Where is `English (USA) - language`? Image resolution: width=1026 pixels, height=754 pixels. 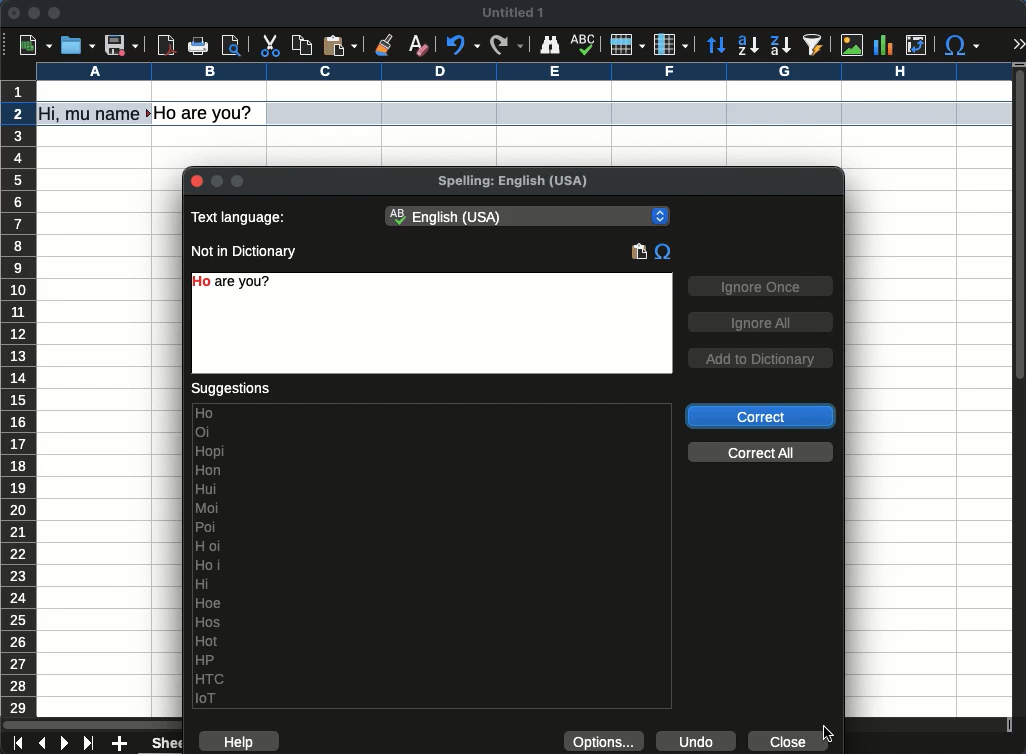 English (USA) - language is located at coordinates (528, 217).